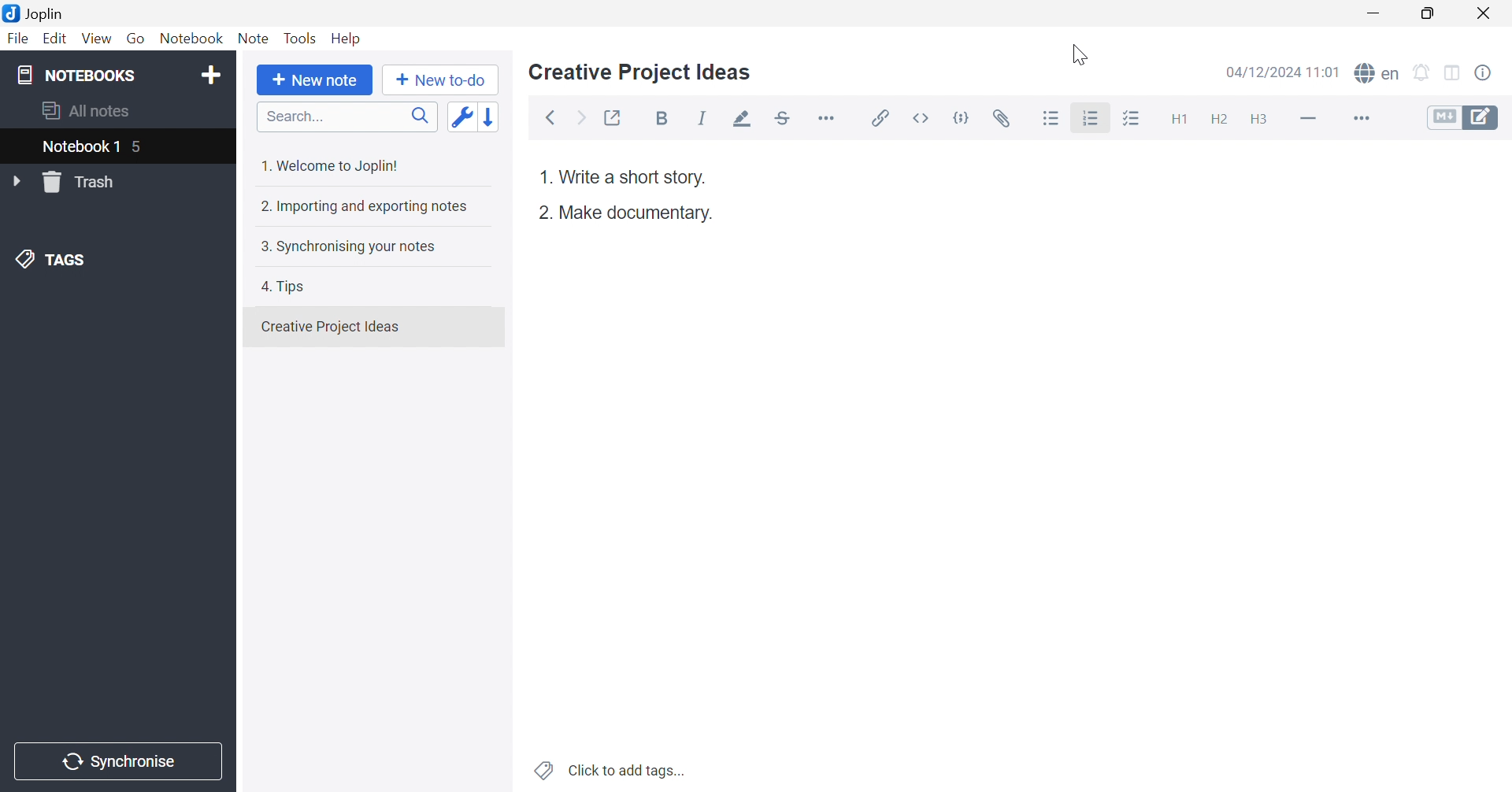  I want to click on Help, so click(347, 38).